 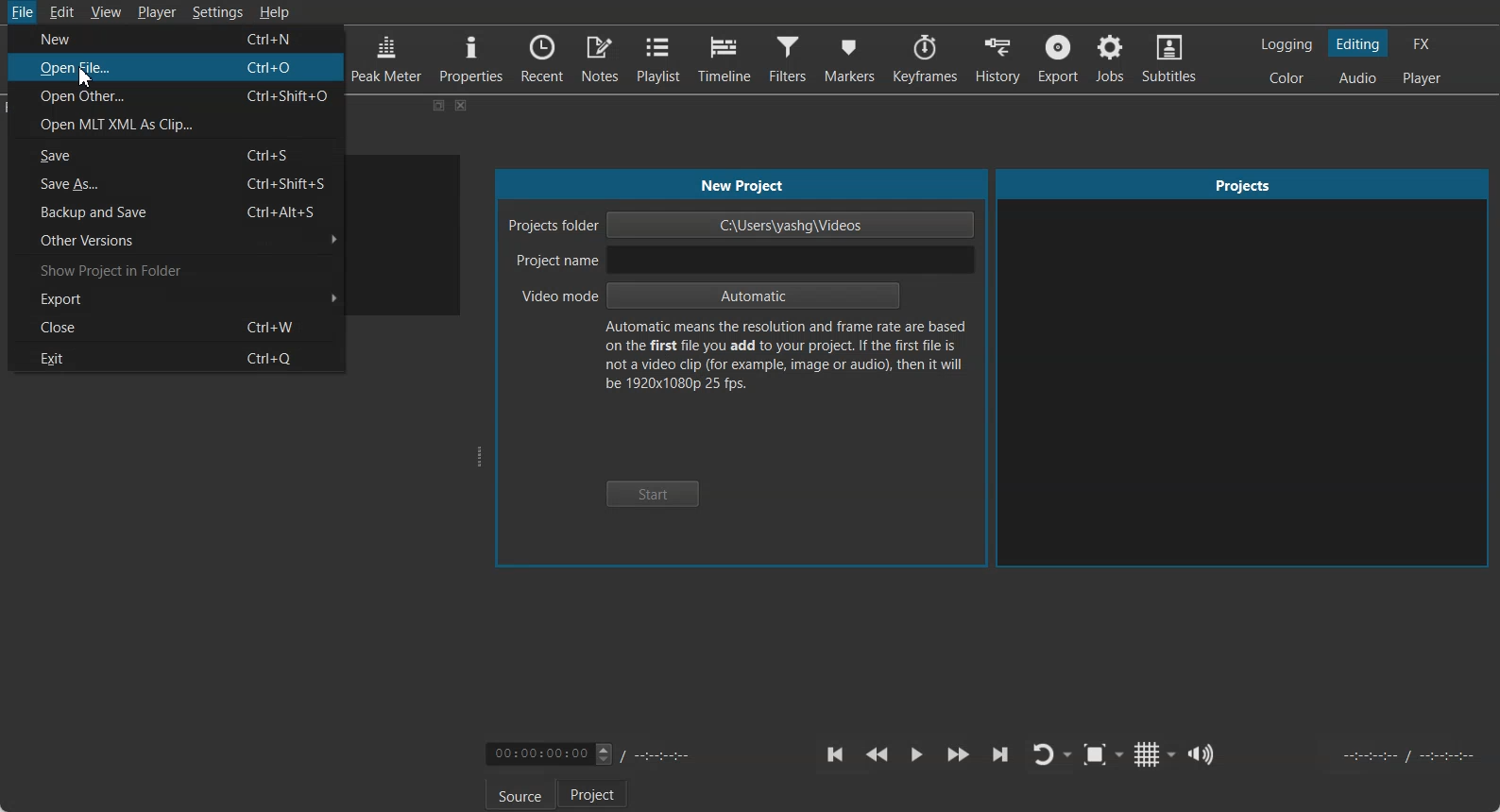 What do you see at coordinates (272, 156) in the screenshot?
I see `Ctrl+S` at bounding box center [272, 156].